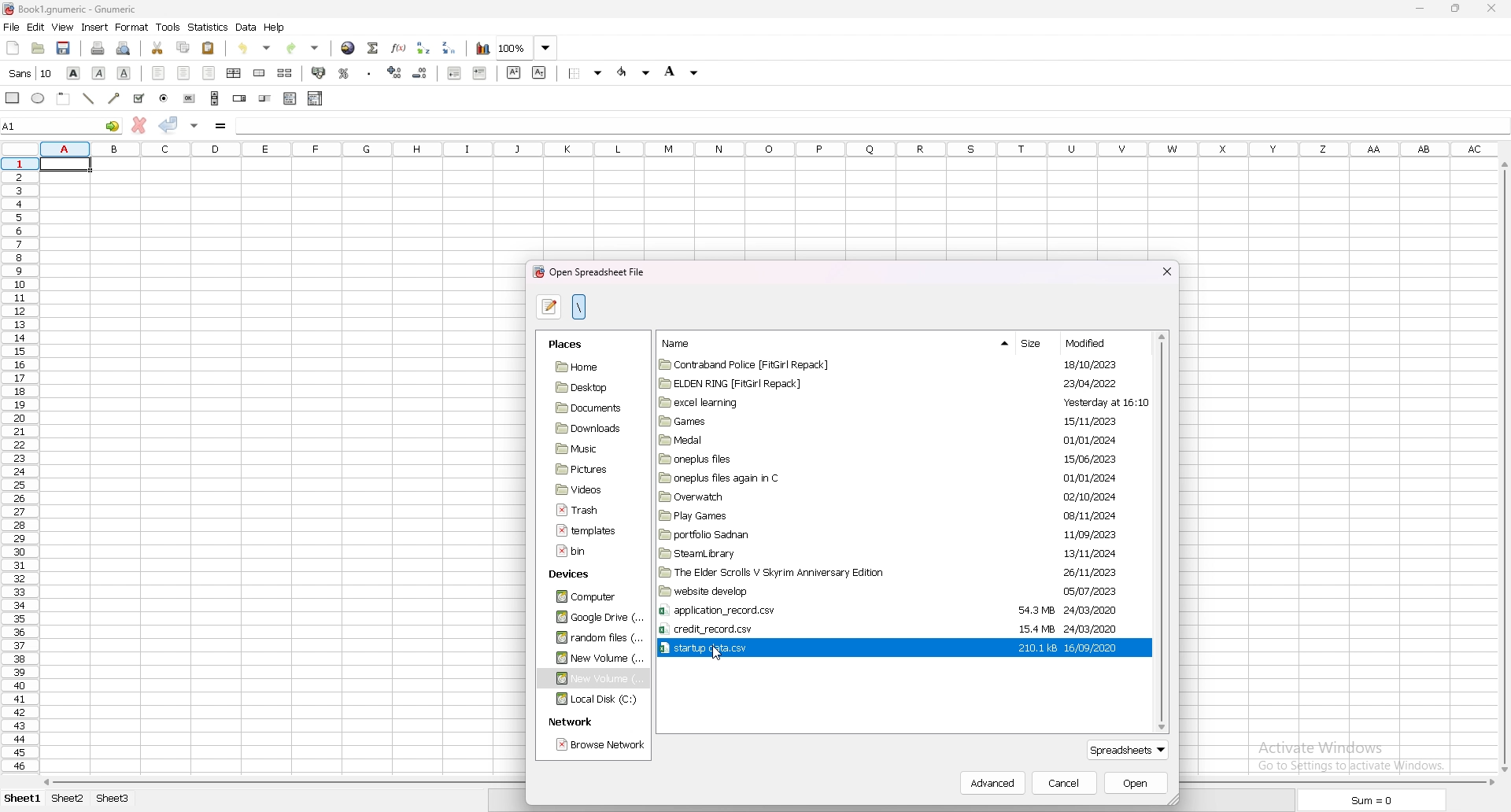 The image size is (1511, 812). I want to click on insert, so click(94, 28).